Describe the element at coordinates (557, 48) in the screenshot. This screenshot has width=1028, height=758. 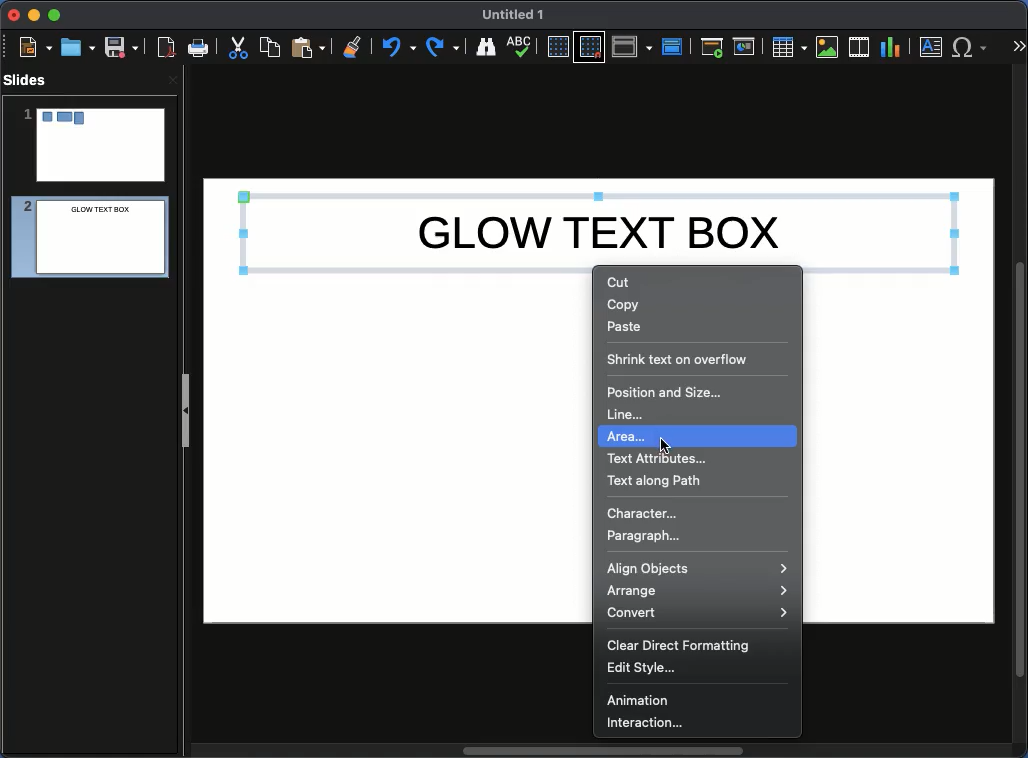
I see `Display grid` at that location.